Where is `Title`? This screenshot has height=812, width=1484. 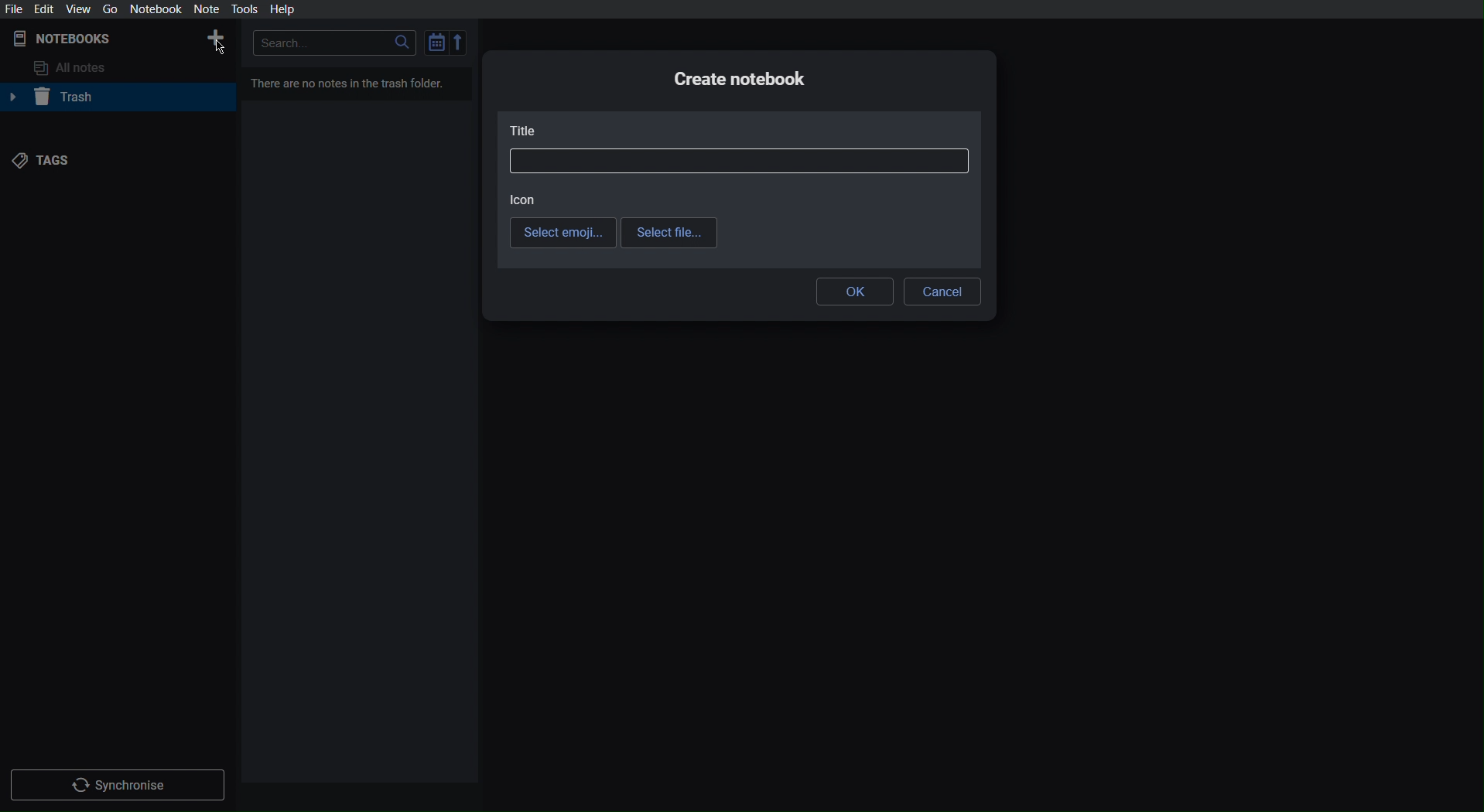 Title is located at coordinates (740, 161).